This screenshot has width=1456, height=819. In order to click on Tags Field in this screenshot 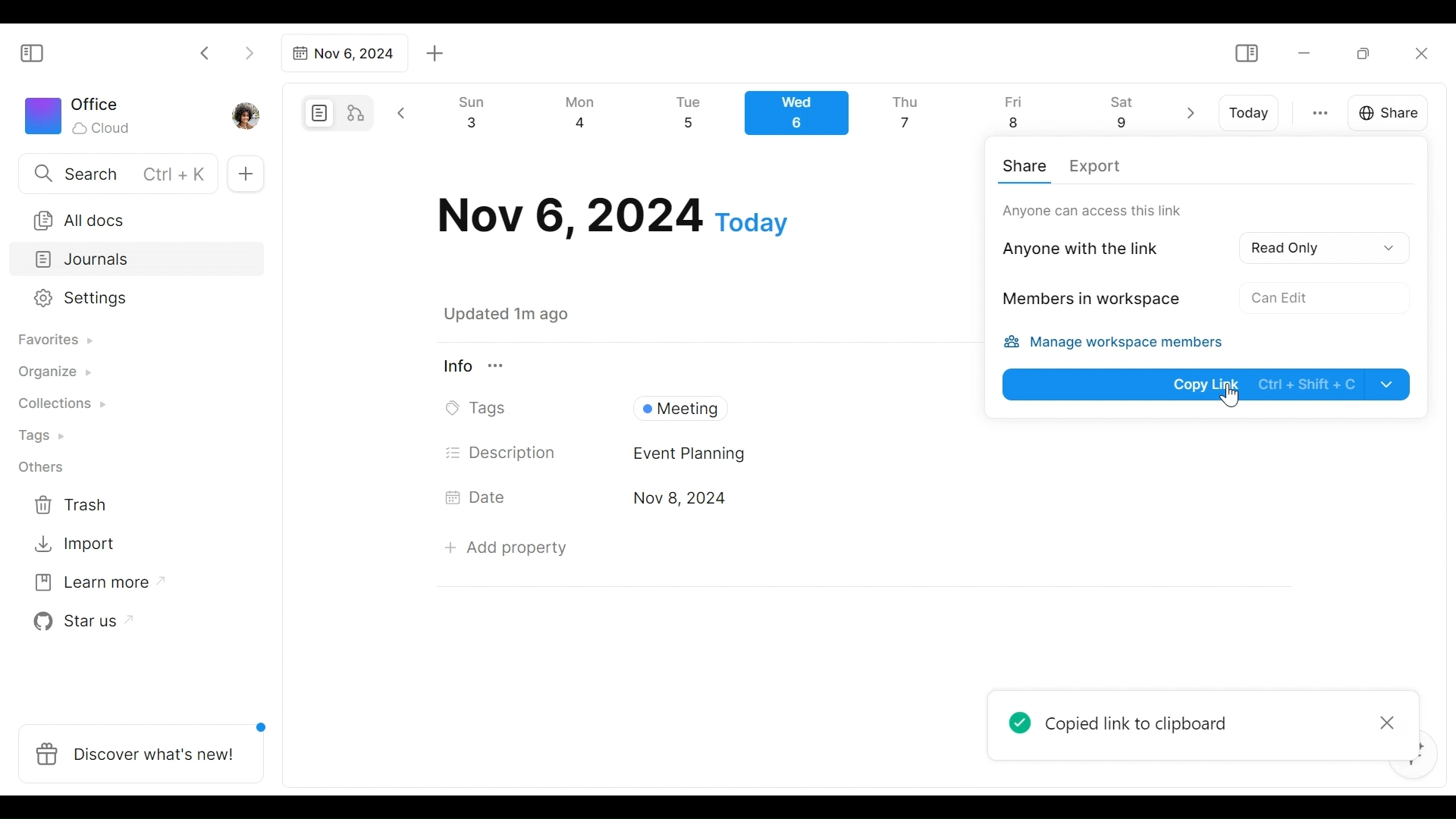, I will do `click(795, 405)`.